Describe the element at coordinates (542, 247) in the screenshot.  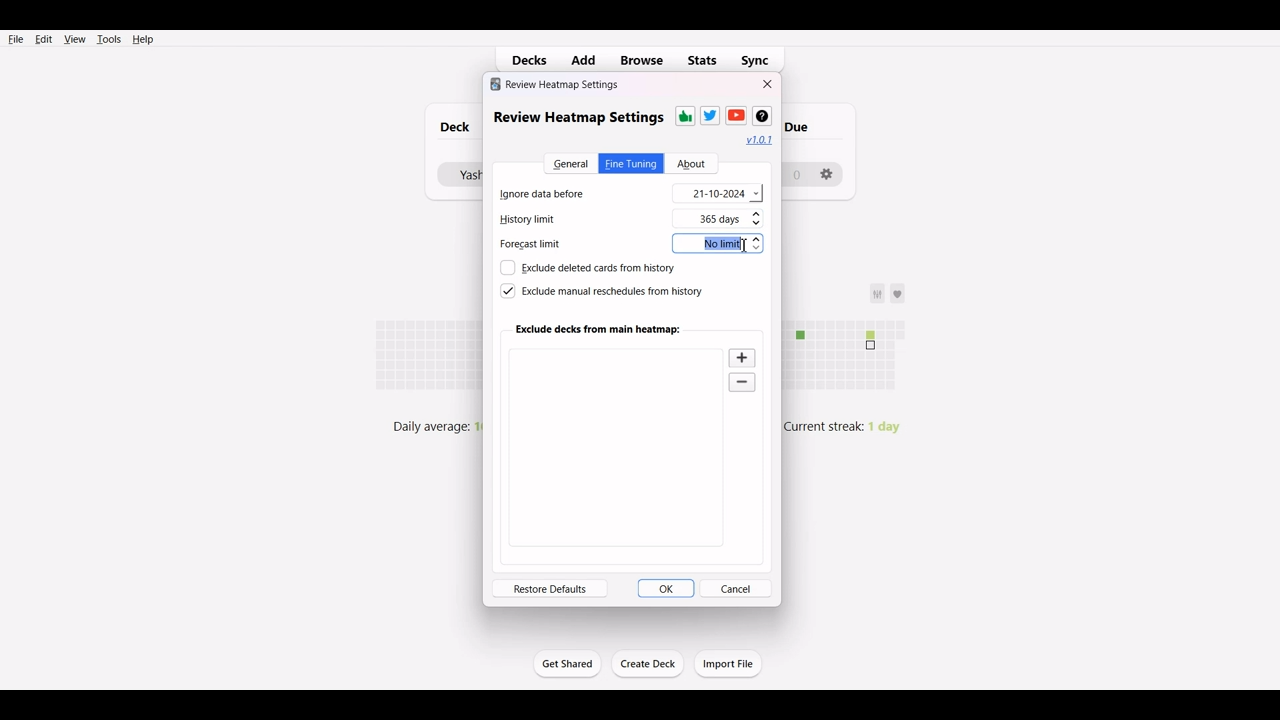
I see `Forecast limit` at that location.